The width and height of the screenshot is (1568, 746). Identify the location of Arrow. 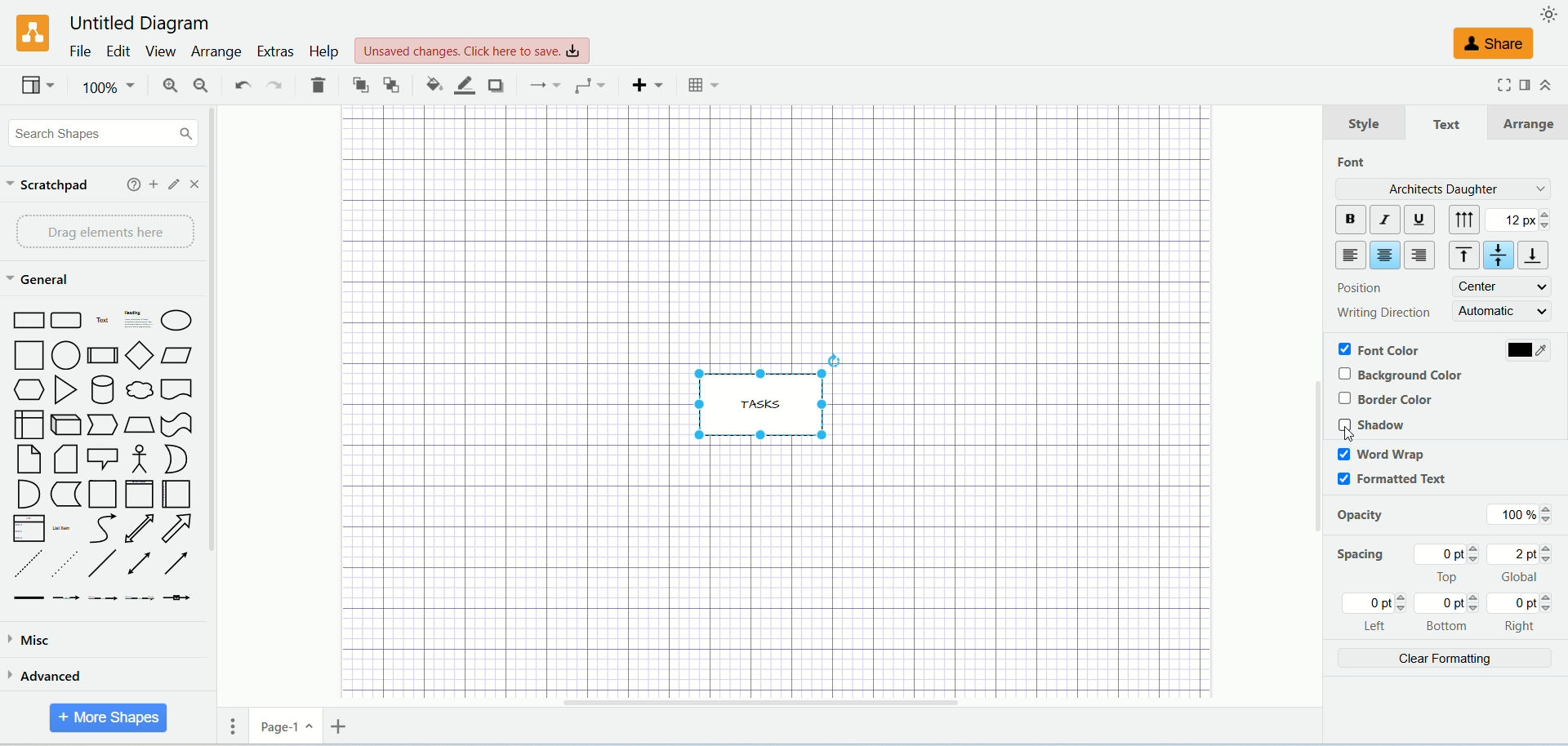
(177, 528).